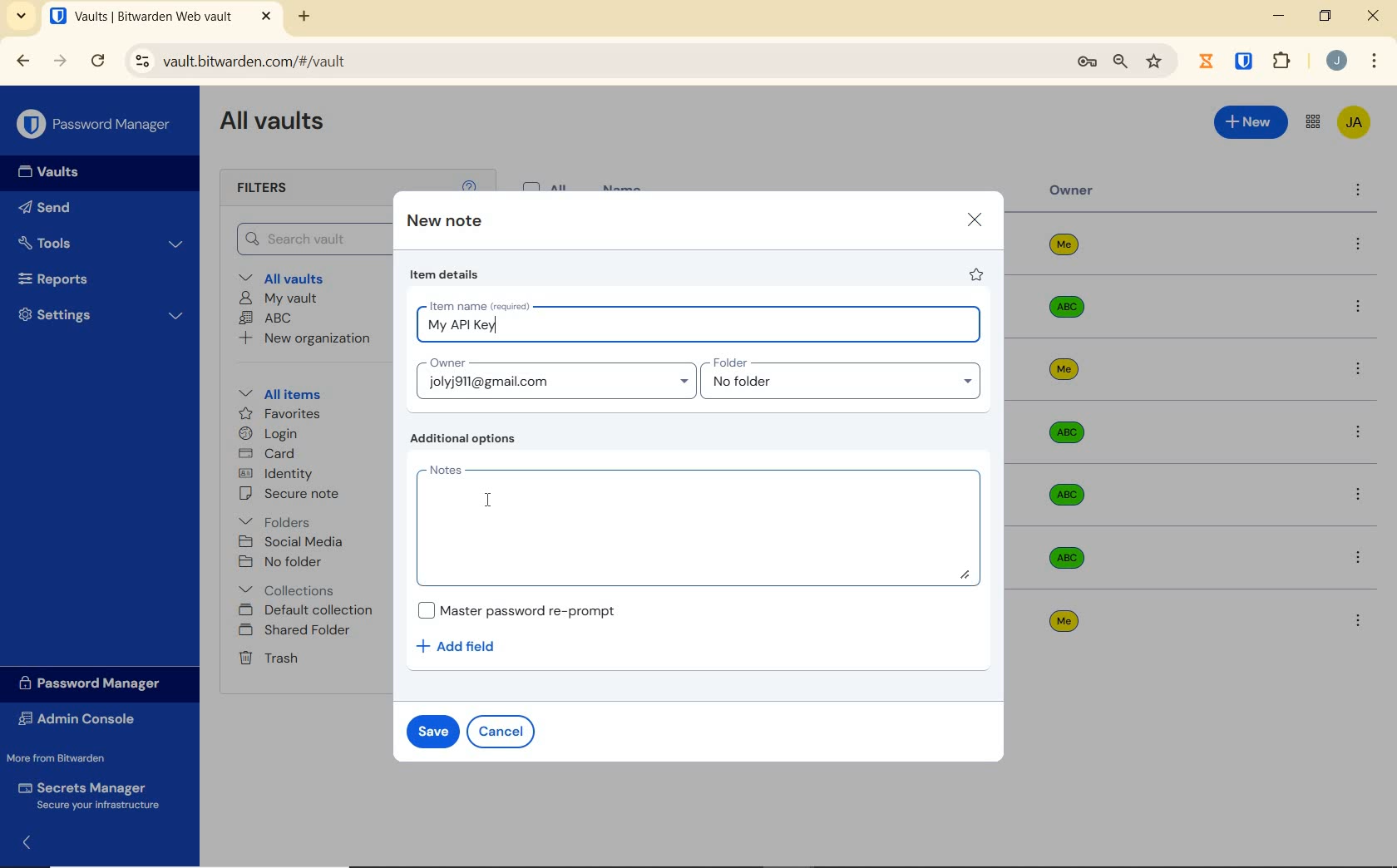 The image size is (1397, 868). Describe the element at coordinates (294, 542) in the screenshot. I see `SOCIAL MEDIA` at that location.